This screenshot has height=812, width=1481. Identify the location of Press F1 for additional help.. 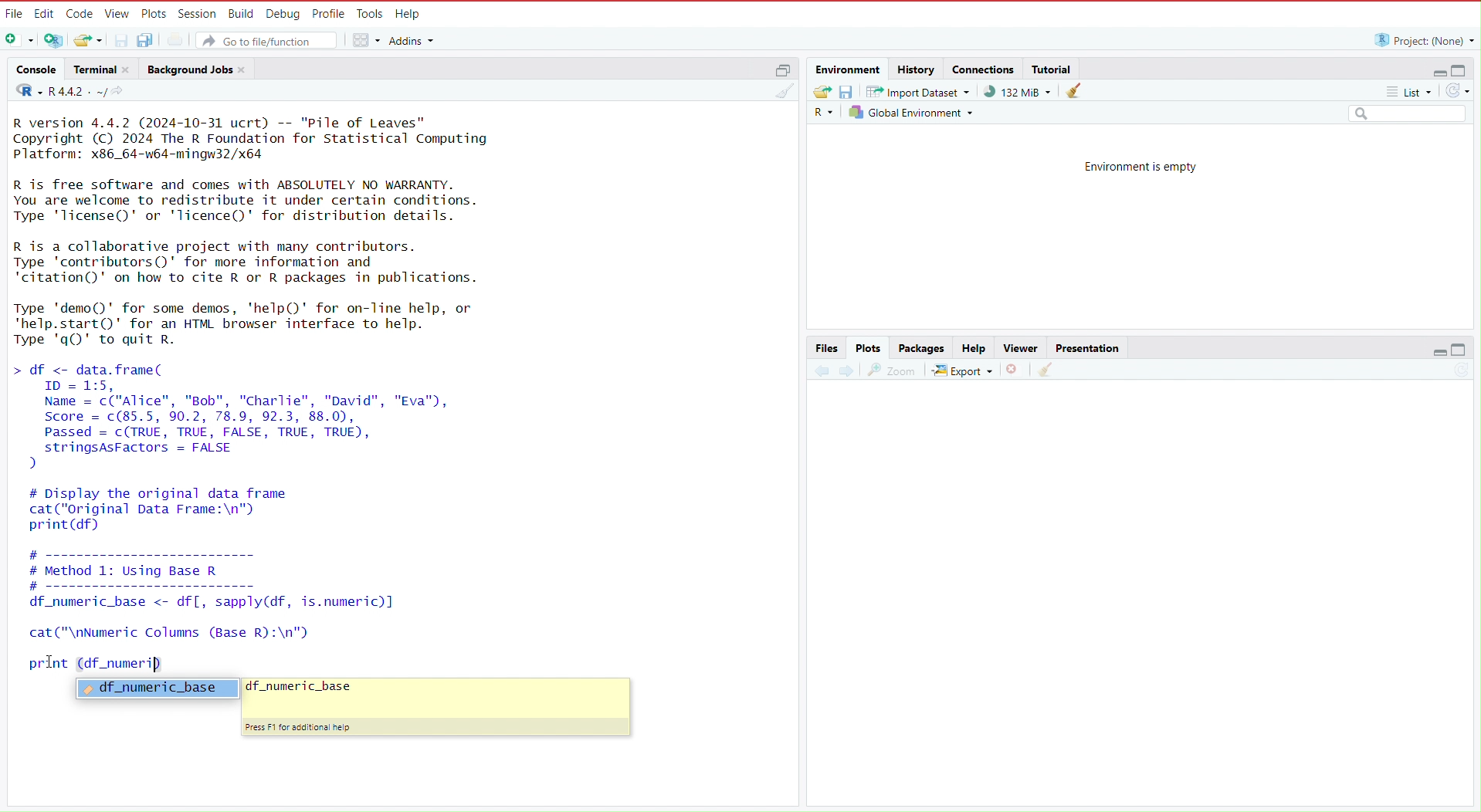
(309, 729).